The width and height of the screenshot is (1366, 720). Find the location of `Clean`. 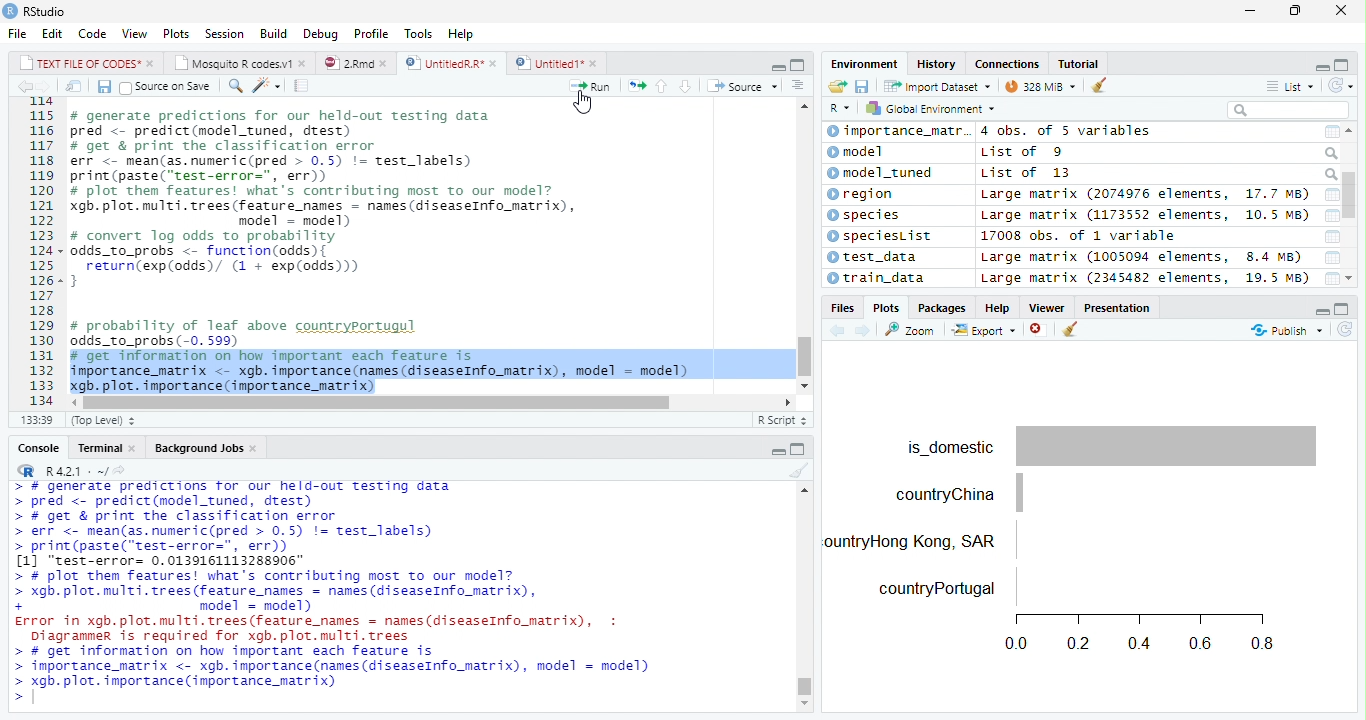

Clean is located at coordinates (1071, 330).